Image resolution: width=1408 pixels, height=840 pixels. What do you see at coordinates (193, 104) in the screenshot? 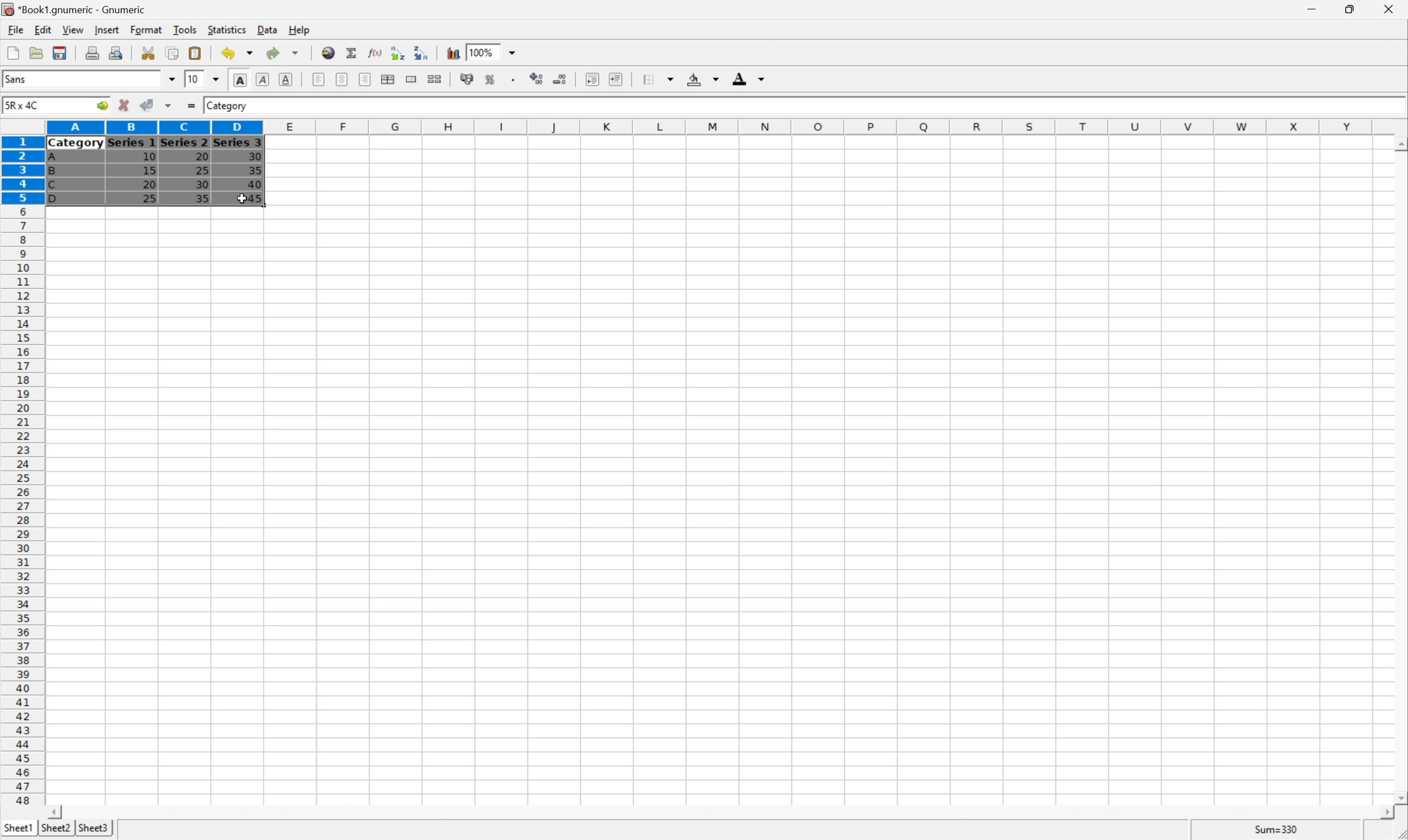
I see `Enter formula` at bounding box center [193, 104].